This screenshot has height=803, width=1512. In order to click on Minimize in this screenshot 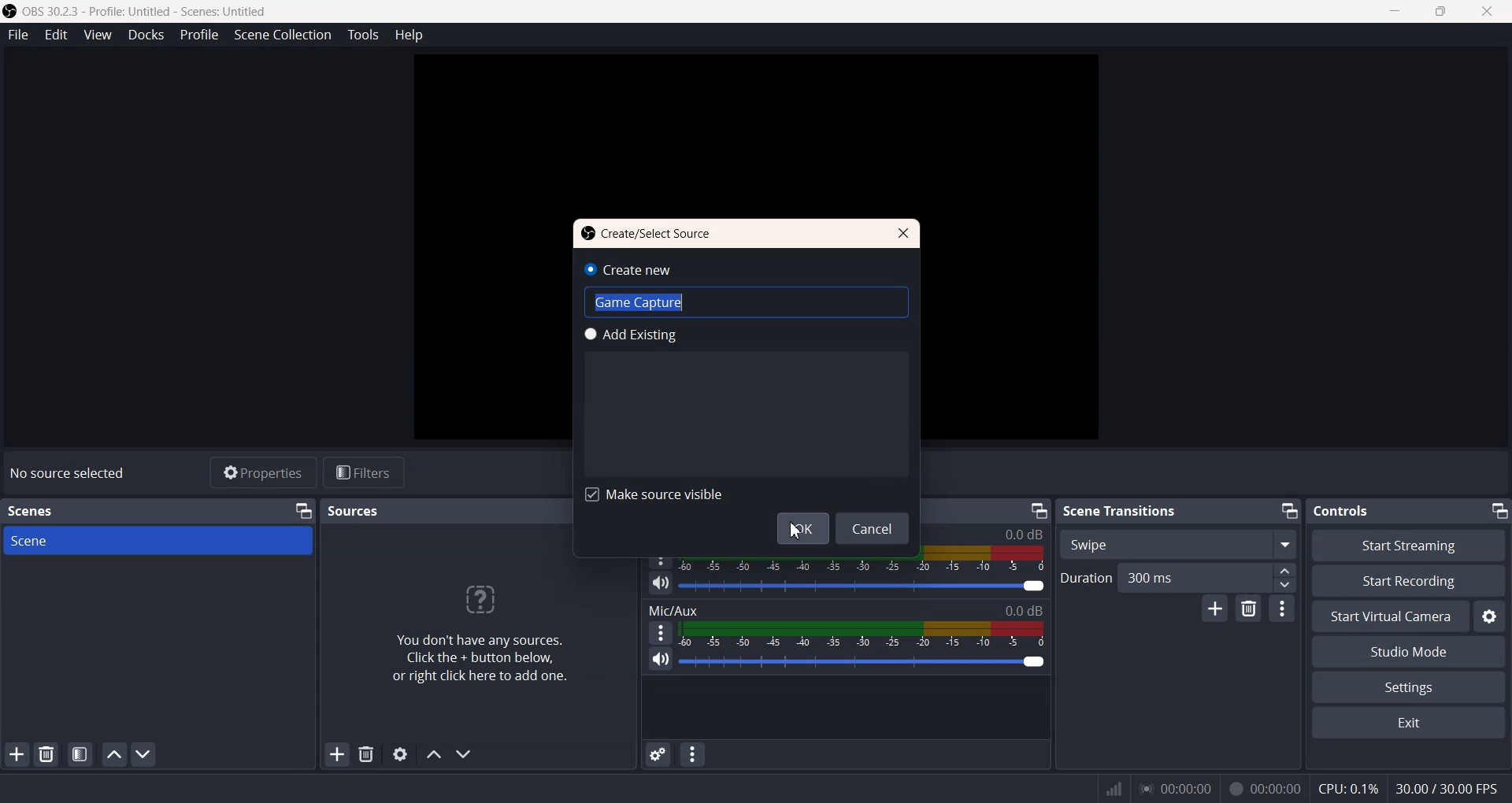, I will do `click(1499, 510)`.